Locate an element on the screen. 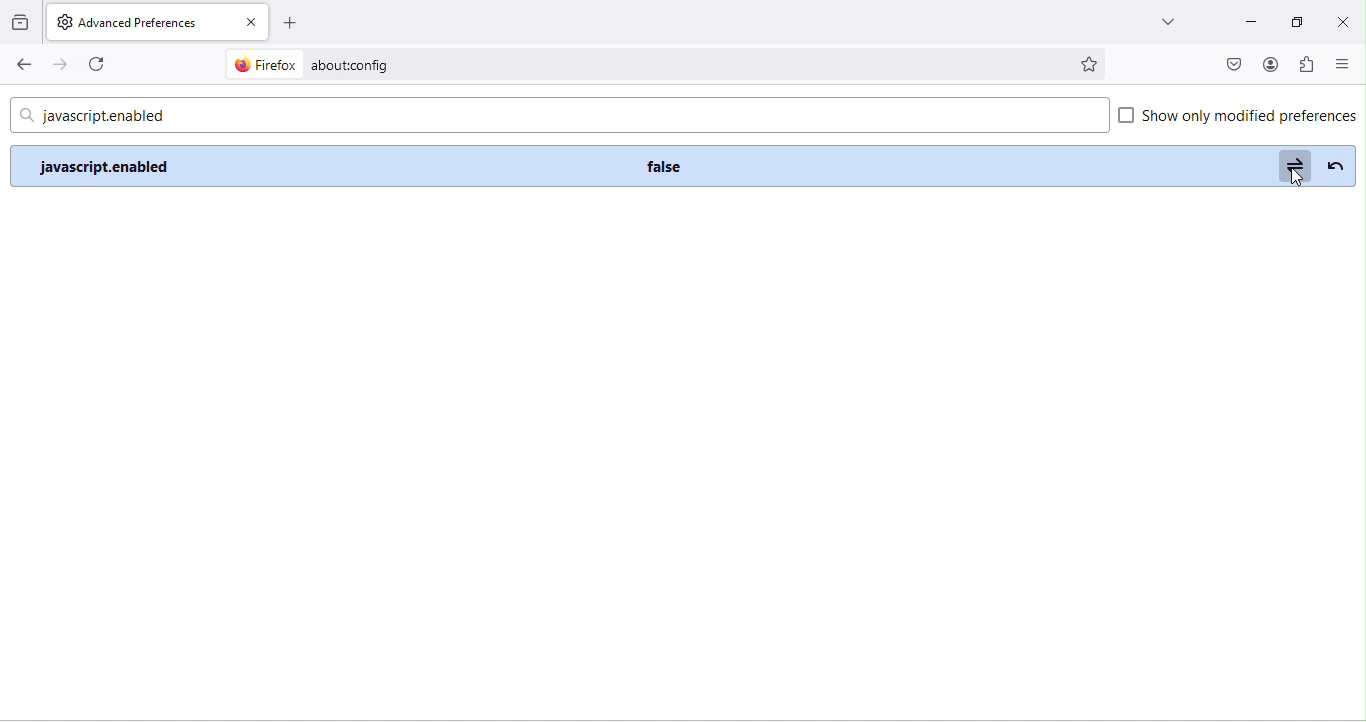 The height and width of the screenshot is (722, 1366). close or open sidebar is located at coordinates (1347, 64).